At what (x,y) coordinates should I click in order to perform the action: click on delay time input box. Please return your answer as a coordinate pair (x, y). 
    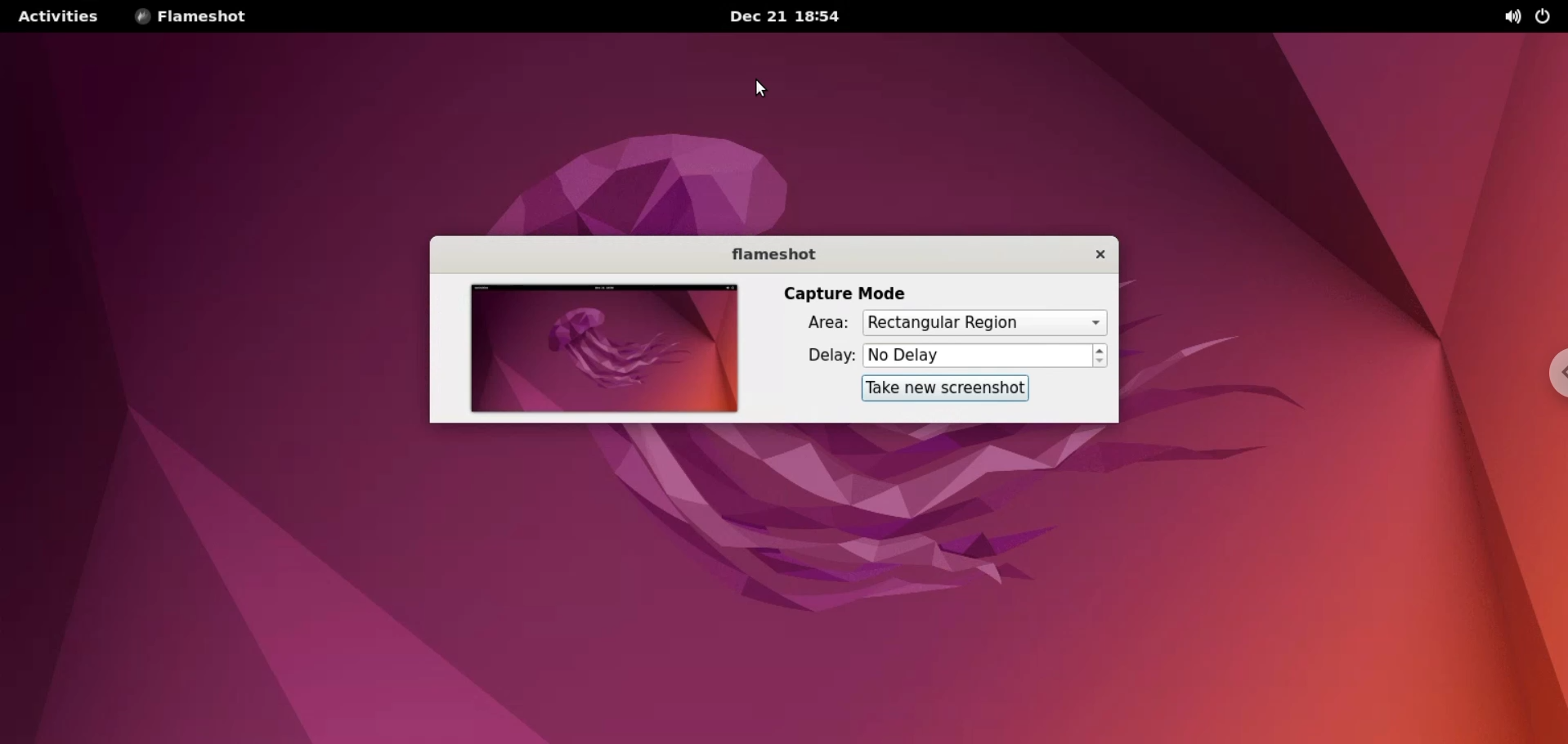
    Looking at the image, I should click on (979, 356).